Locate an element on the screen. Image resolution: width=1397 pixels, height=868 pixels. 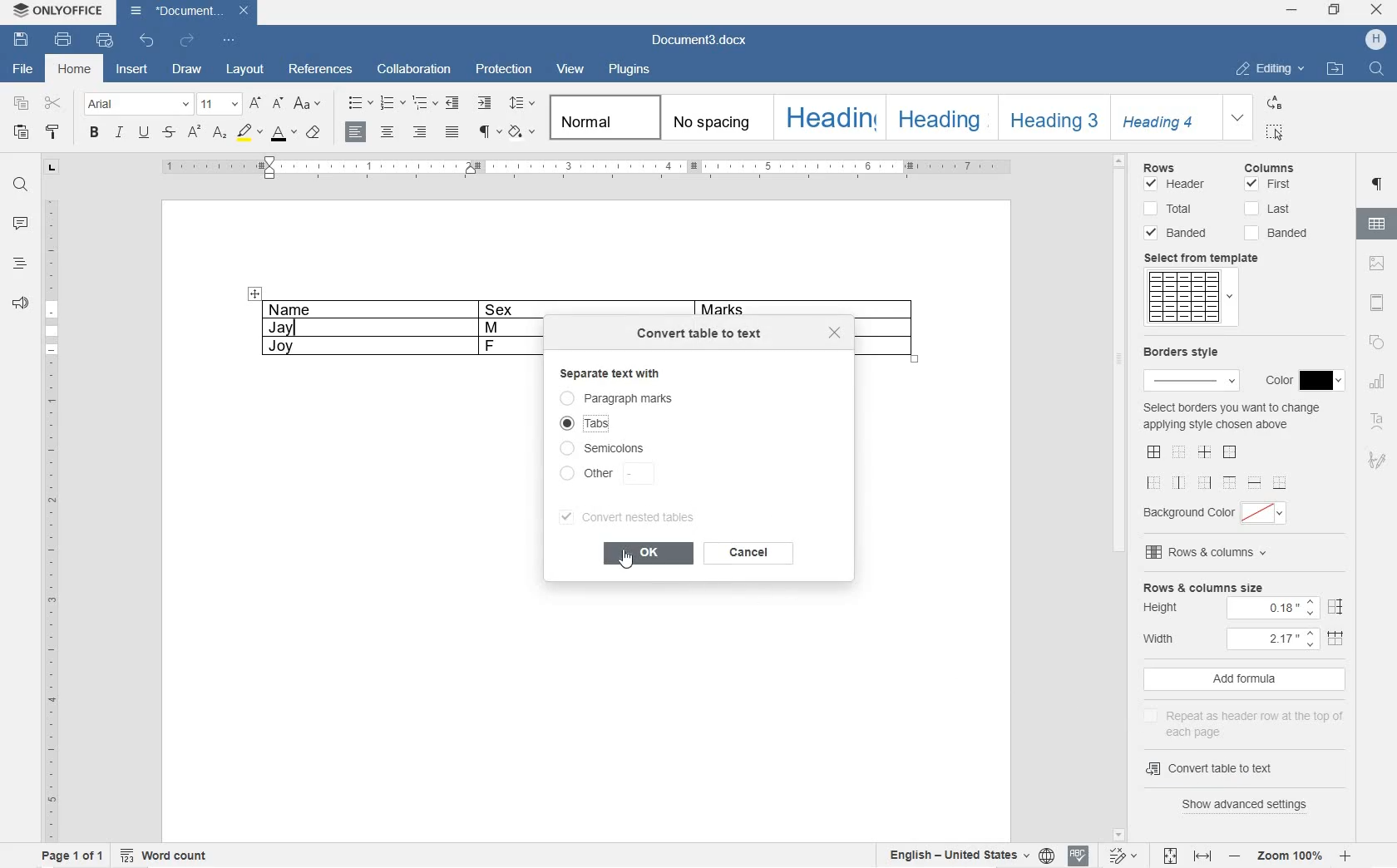
PASTE is located at coordinates (22, 133).